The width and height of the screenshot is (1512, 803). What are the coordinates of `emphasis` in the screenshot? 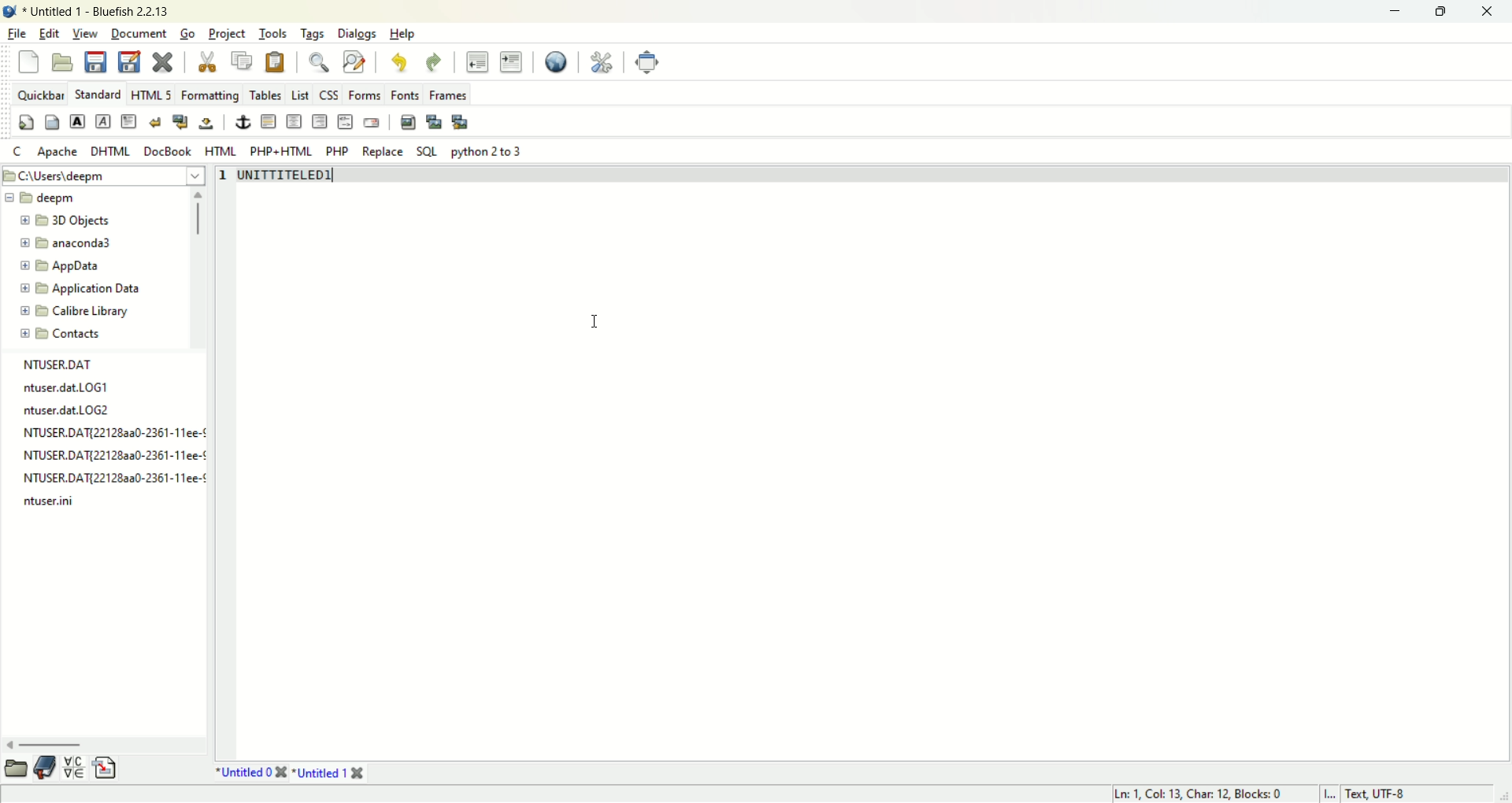 It's located at (101, 121).